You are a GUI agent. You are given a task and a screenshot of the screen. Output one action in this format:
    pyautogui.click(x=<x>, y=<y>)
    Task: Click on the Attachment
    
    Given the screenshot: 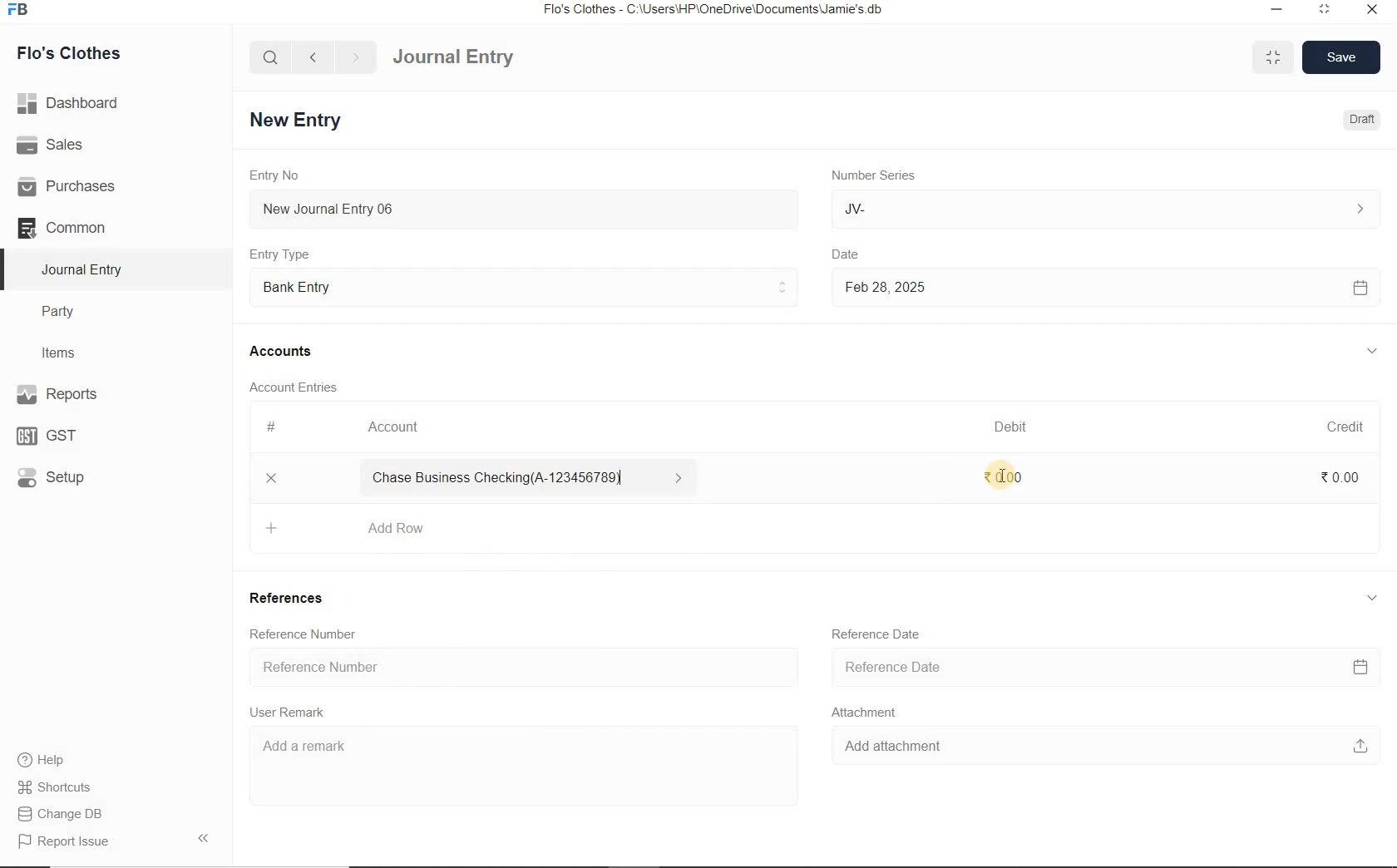 What is the action you would take?
    pyautogui.click(x=869, y=715)
    